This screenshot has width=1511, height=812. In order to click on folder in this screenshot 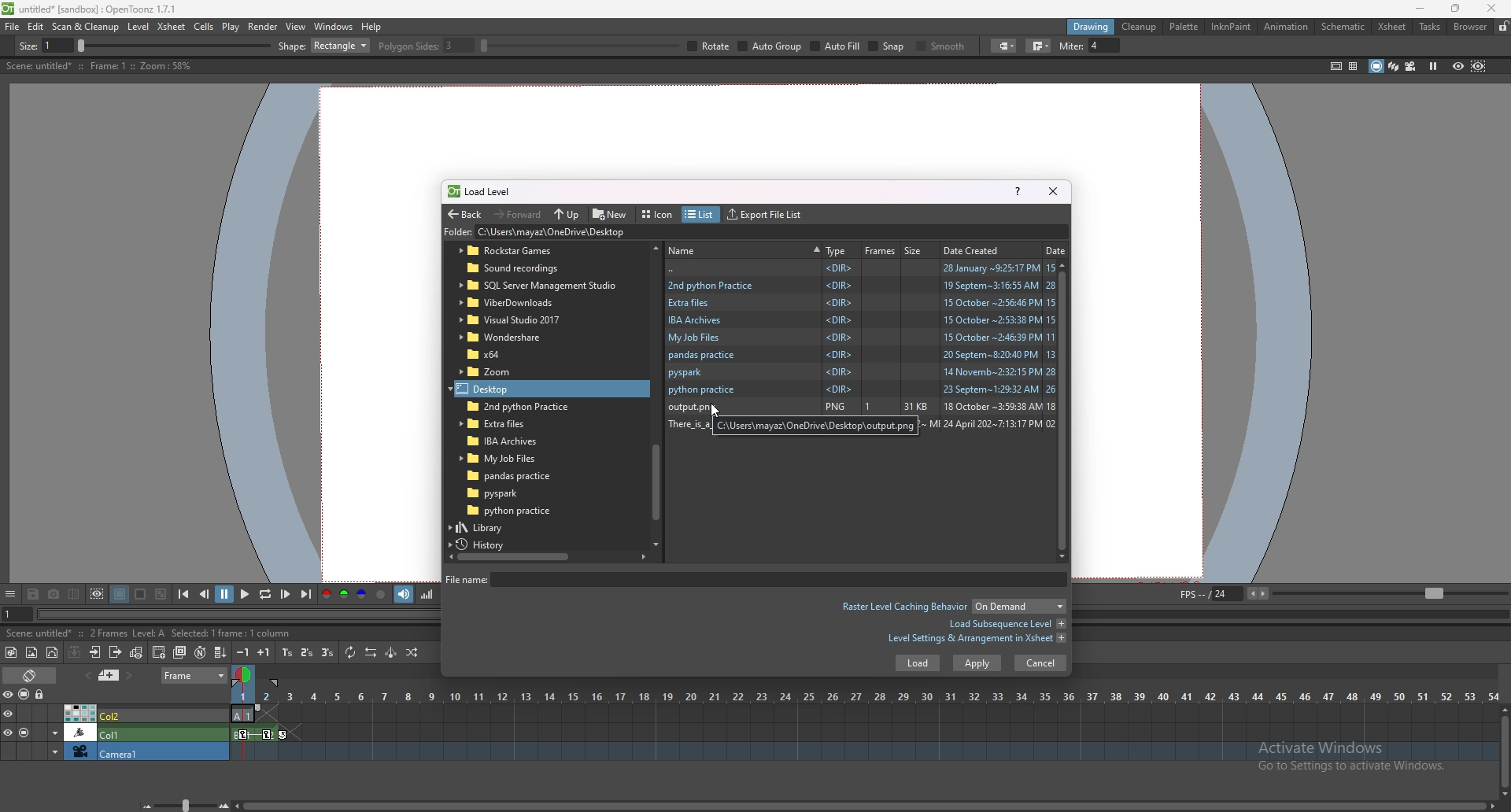, I will do `click(526, 269)`.